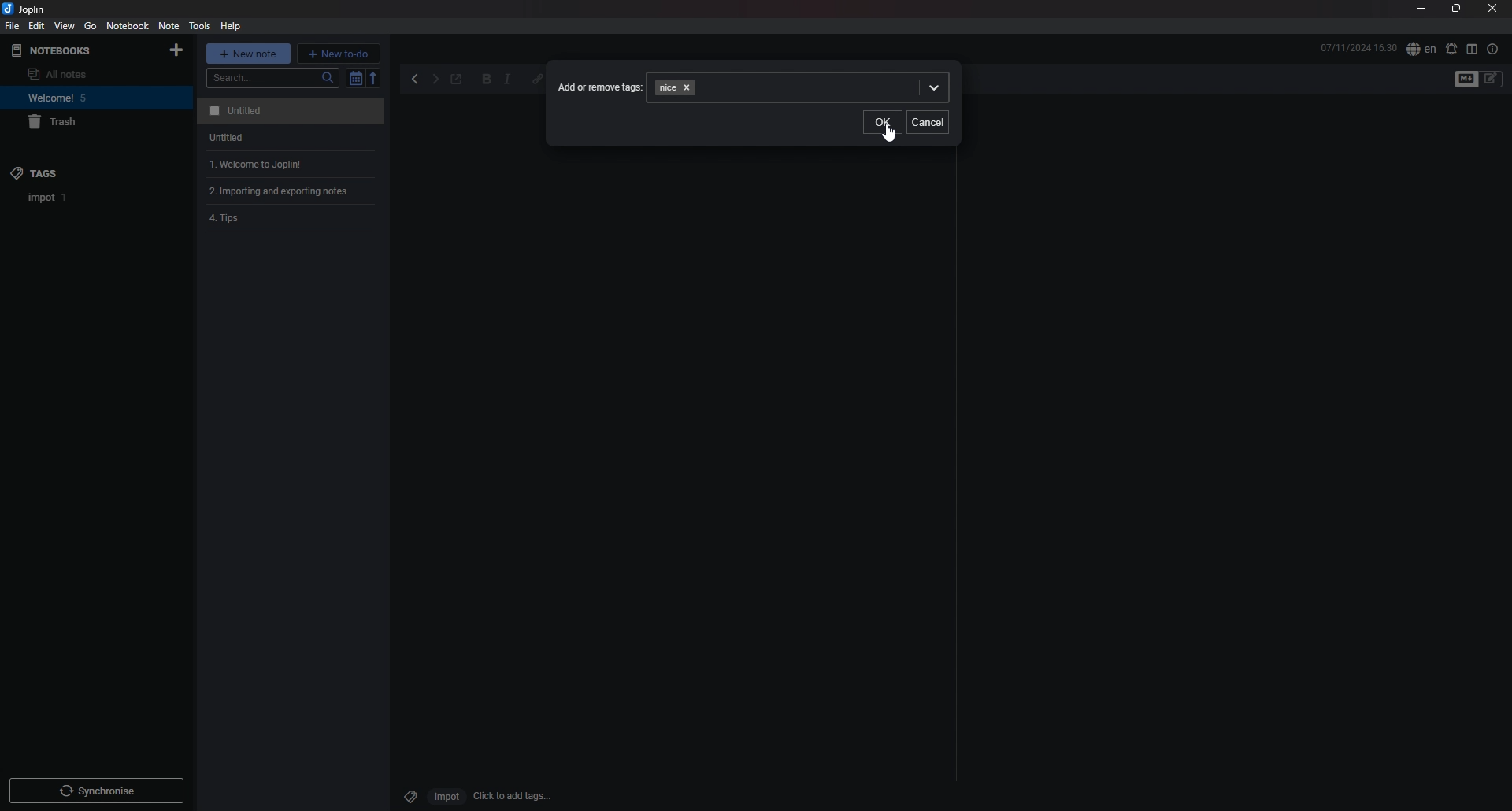 Image resolution: width=1512 pixels, height=811 pixels. What do you see at coordinates (339, 53) in the screenshot?
I see `new todo` at bounding box center [339, 53].